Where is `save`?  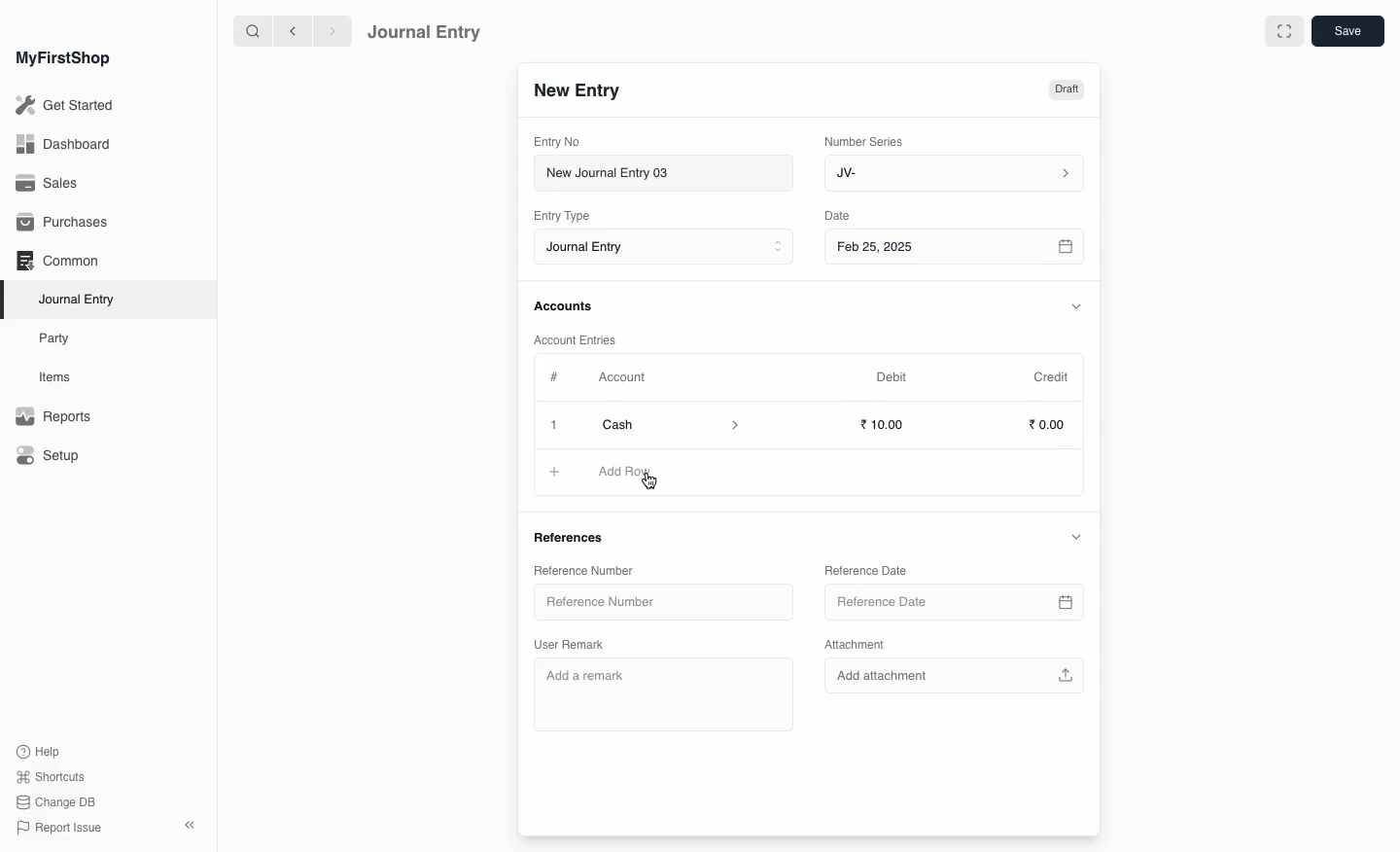
save is located at coordinates (1347, 32).